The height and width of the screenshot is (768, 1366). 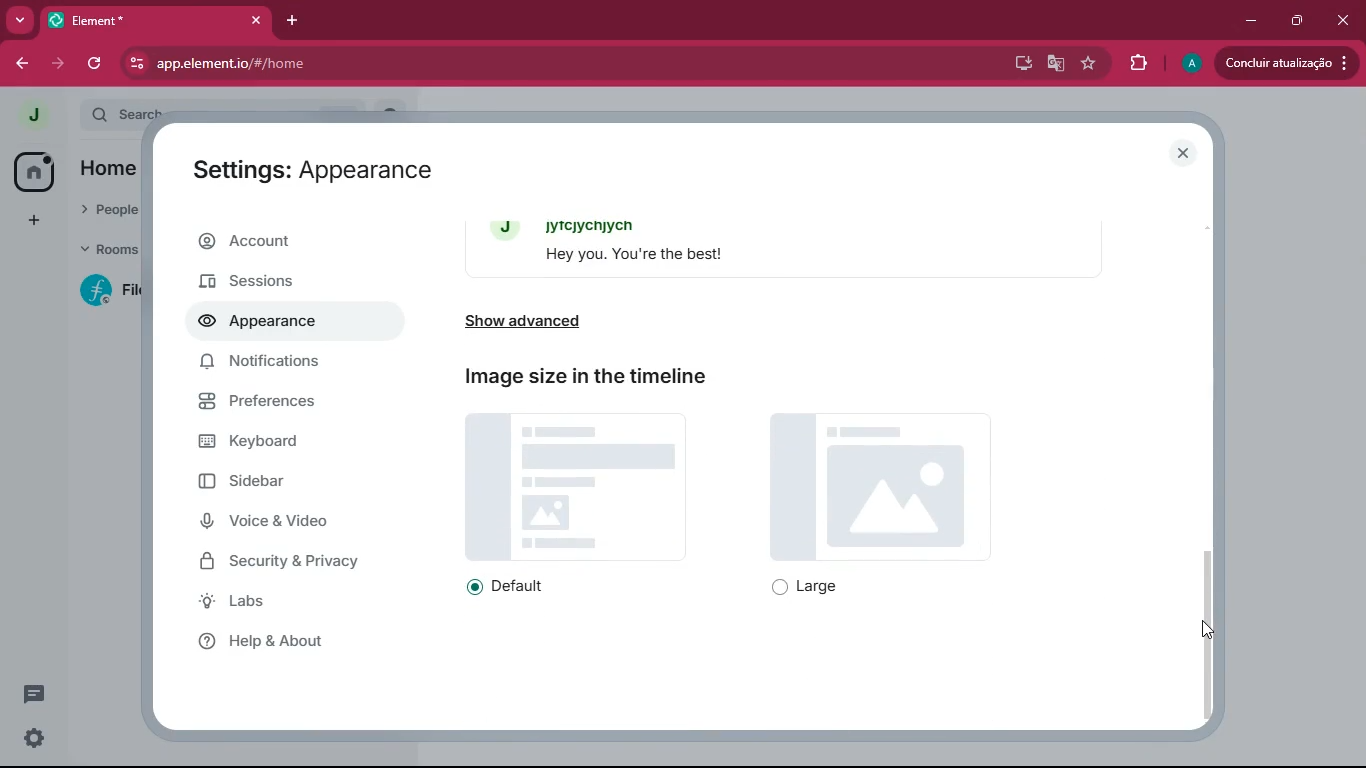 What do you see at coordinates (256, 20) in the screenshot?
I see `close` at bounding box center [256, 20].